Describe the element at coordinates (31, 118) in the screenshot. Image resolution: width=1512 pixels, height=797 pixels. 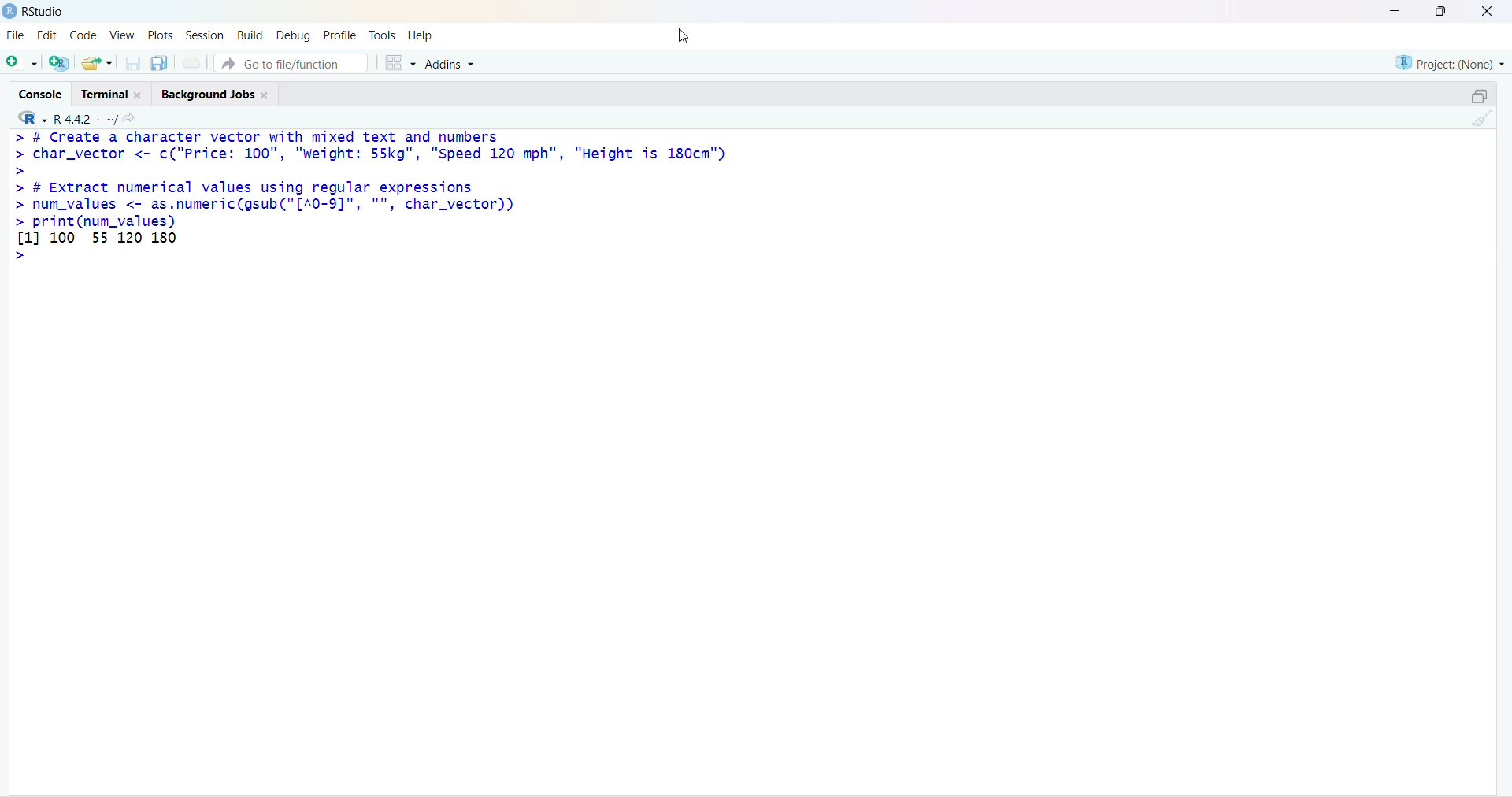
I see `R` at that location.